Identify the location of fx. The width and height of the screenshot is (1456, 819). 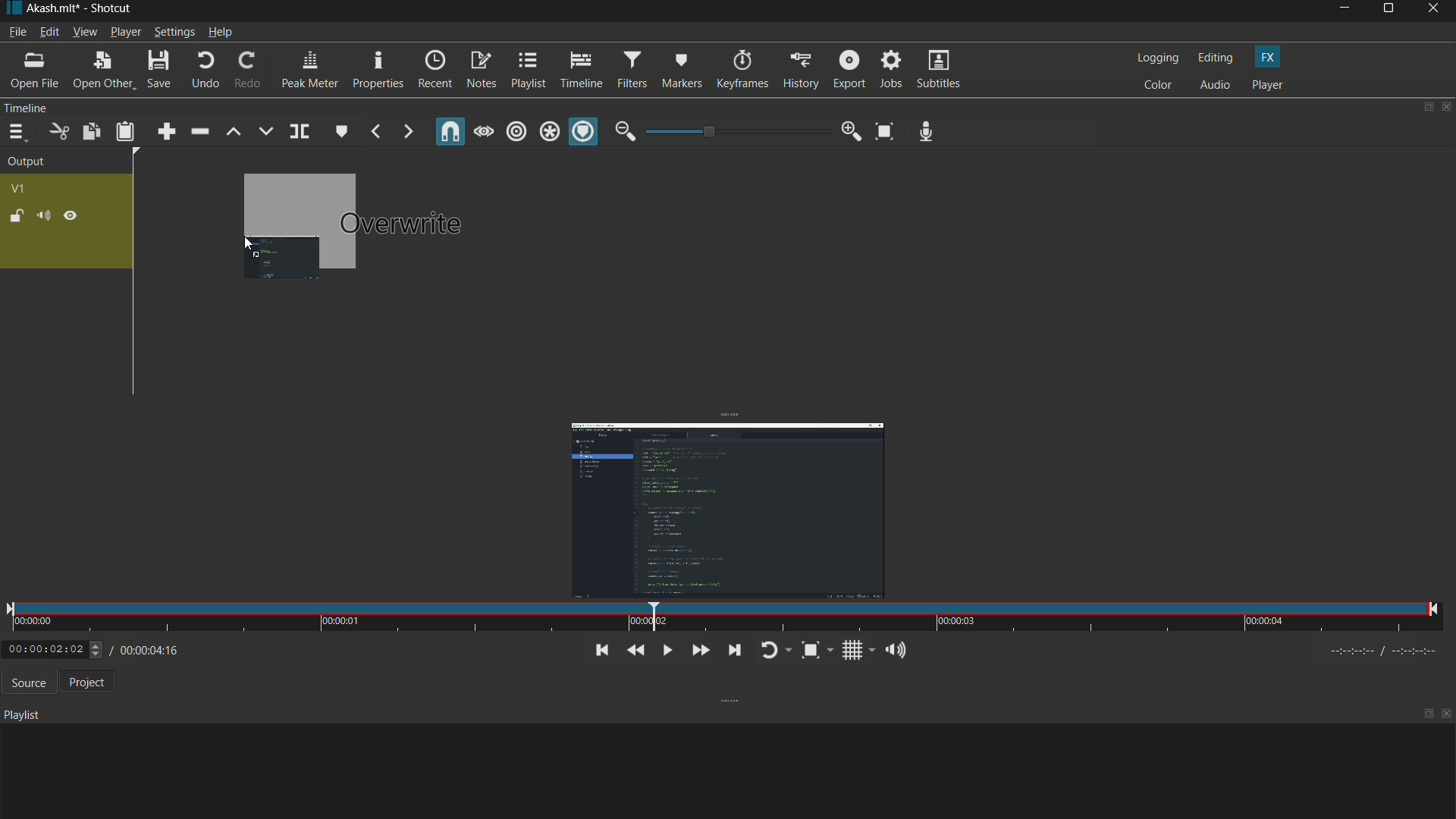
(1269, 58).